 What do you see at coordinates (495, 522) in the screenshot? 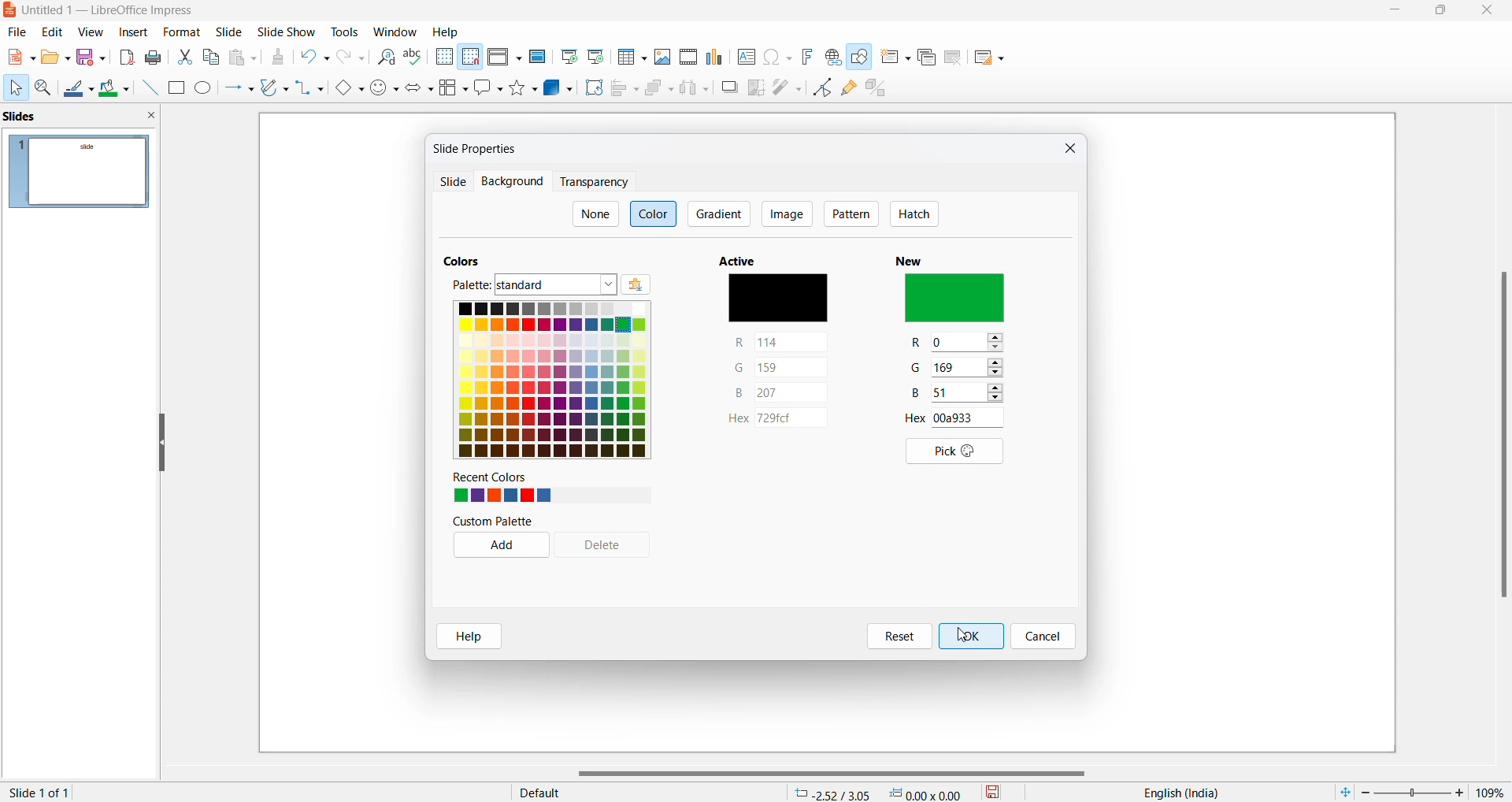
I see `custom palette heading` at bounding box center [495, 522].